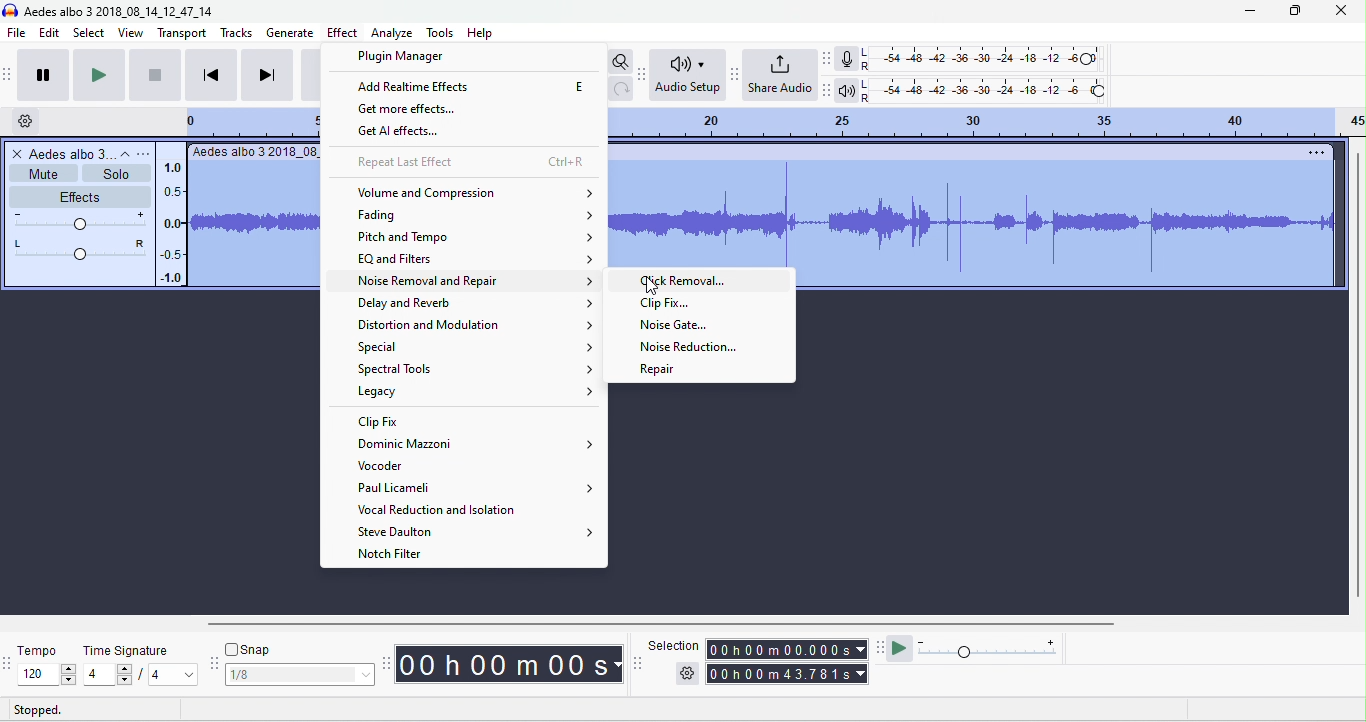  What do you see at coordinates (686, 75) in the screenshot?
I see `audio set up` at bounding box center [686, 75].